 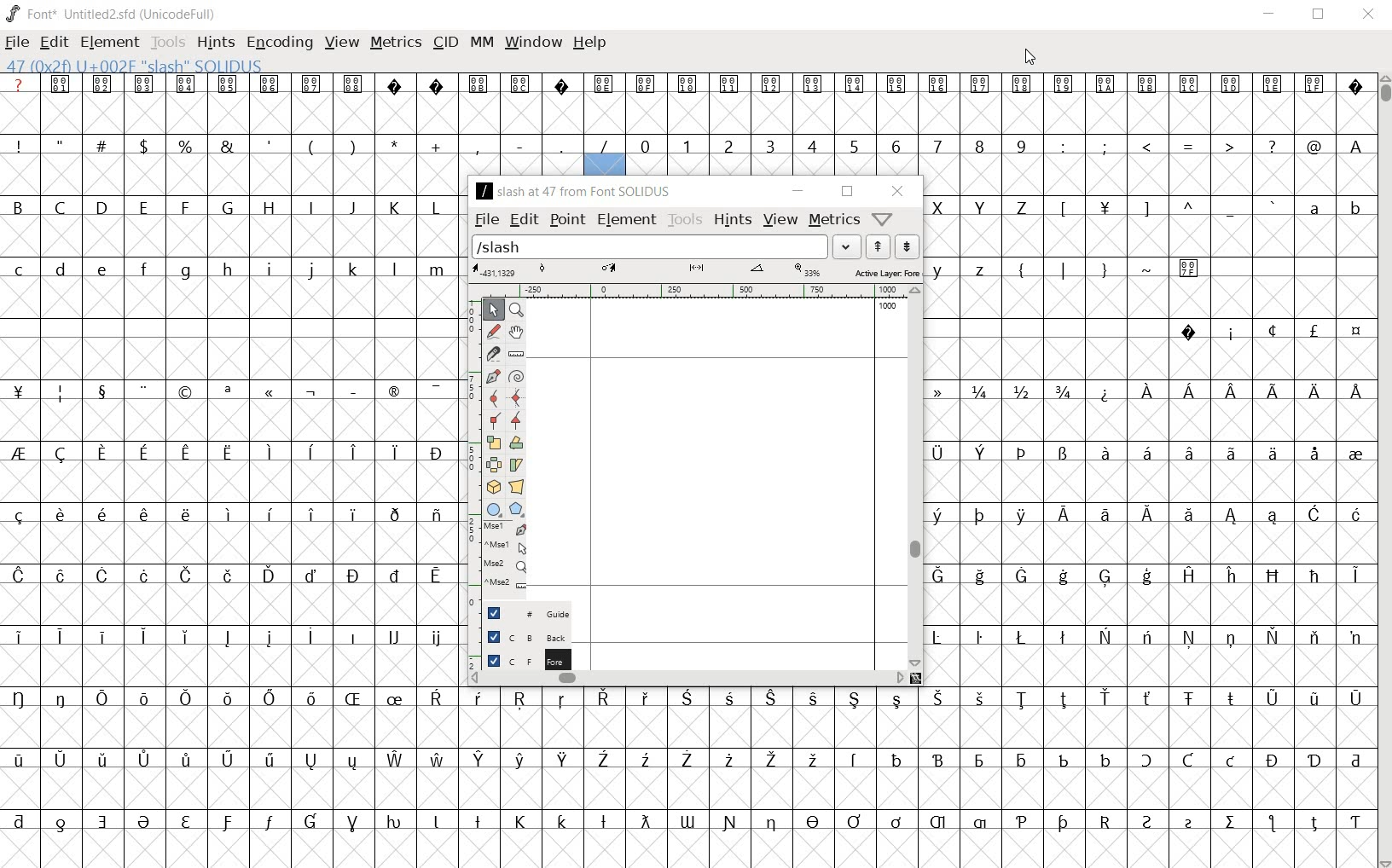 What do you see at coordinates (492, 443) in the screenshot?
I see `scale the selection` at bounding box center [492, 443].